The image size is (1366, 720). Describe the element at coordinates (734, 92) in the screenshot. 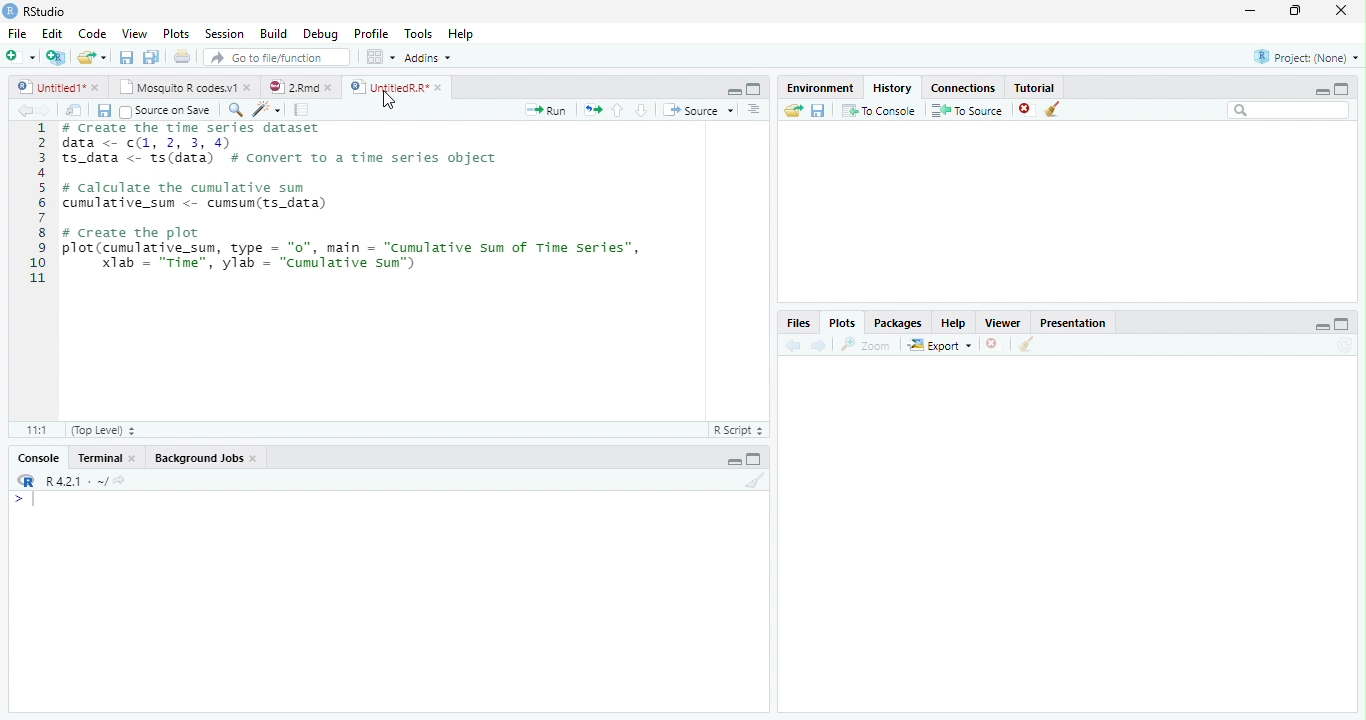

I see `Minimize` at that location.